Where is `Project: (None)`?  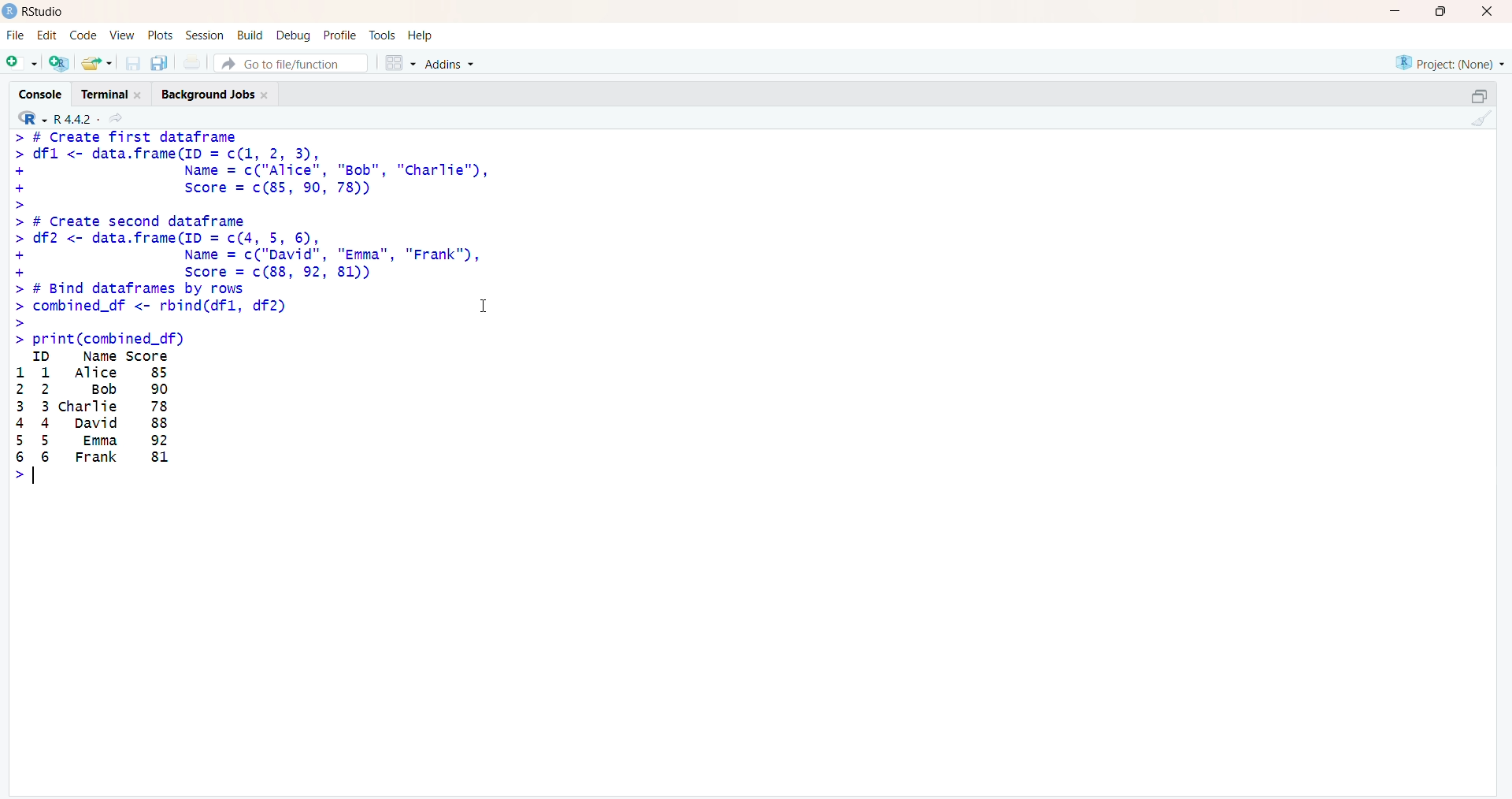
Project: (None) is located at coordinates (1451, 63).